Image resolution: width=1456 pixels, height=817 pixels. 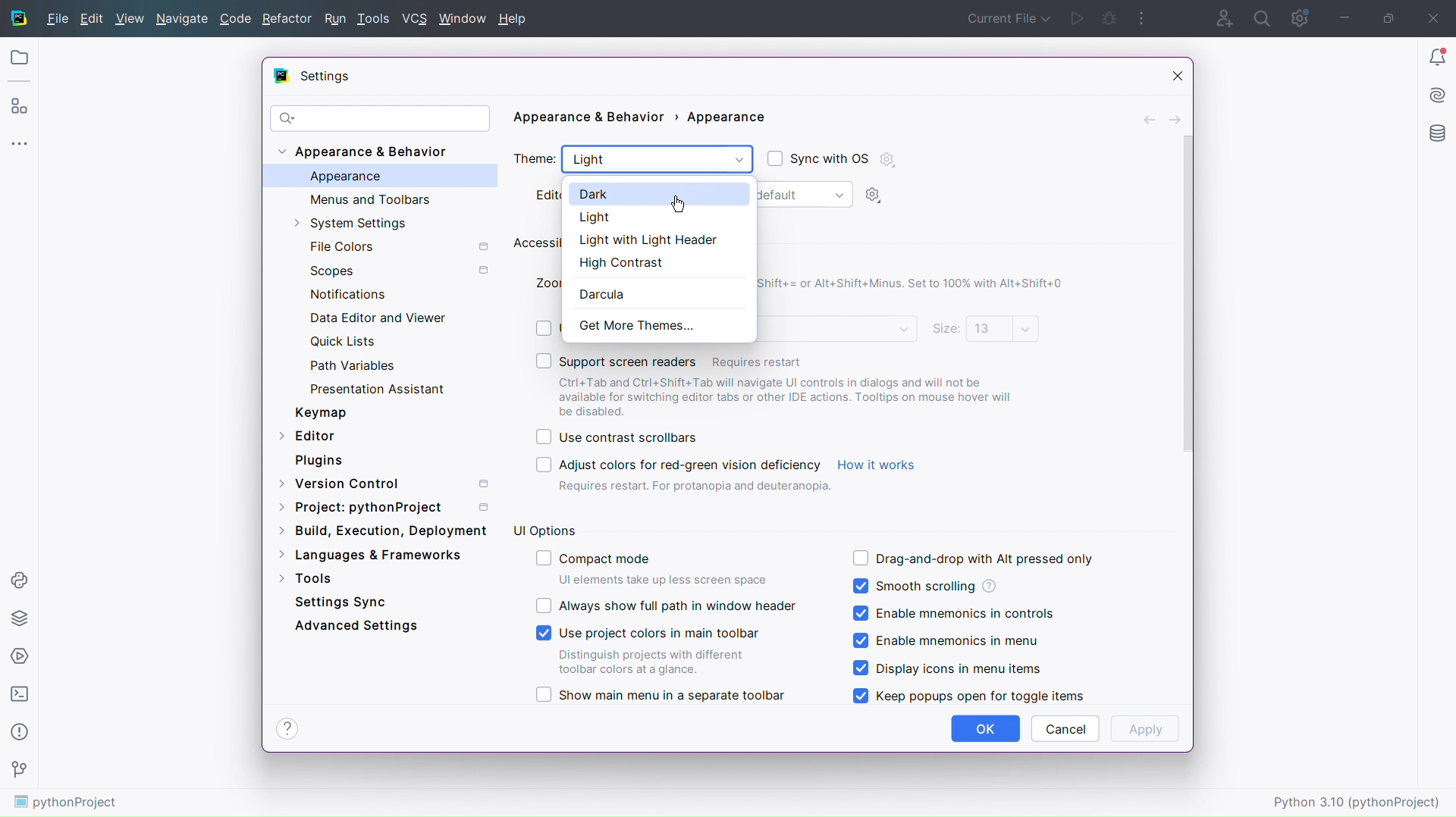 What do you see at coordinates (1006, 18) in the screenshot?
I see `Current File` at bounding box center [1006, 18].